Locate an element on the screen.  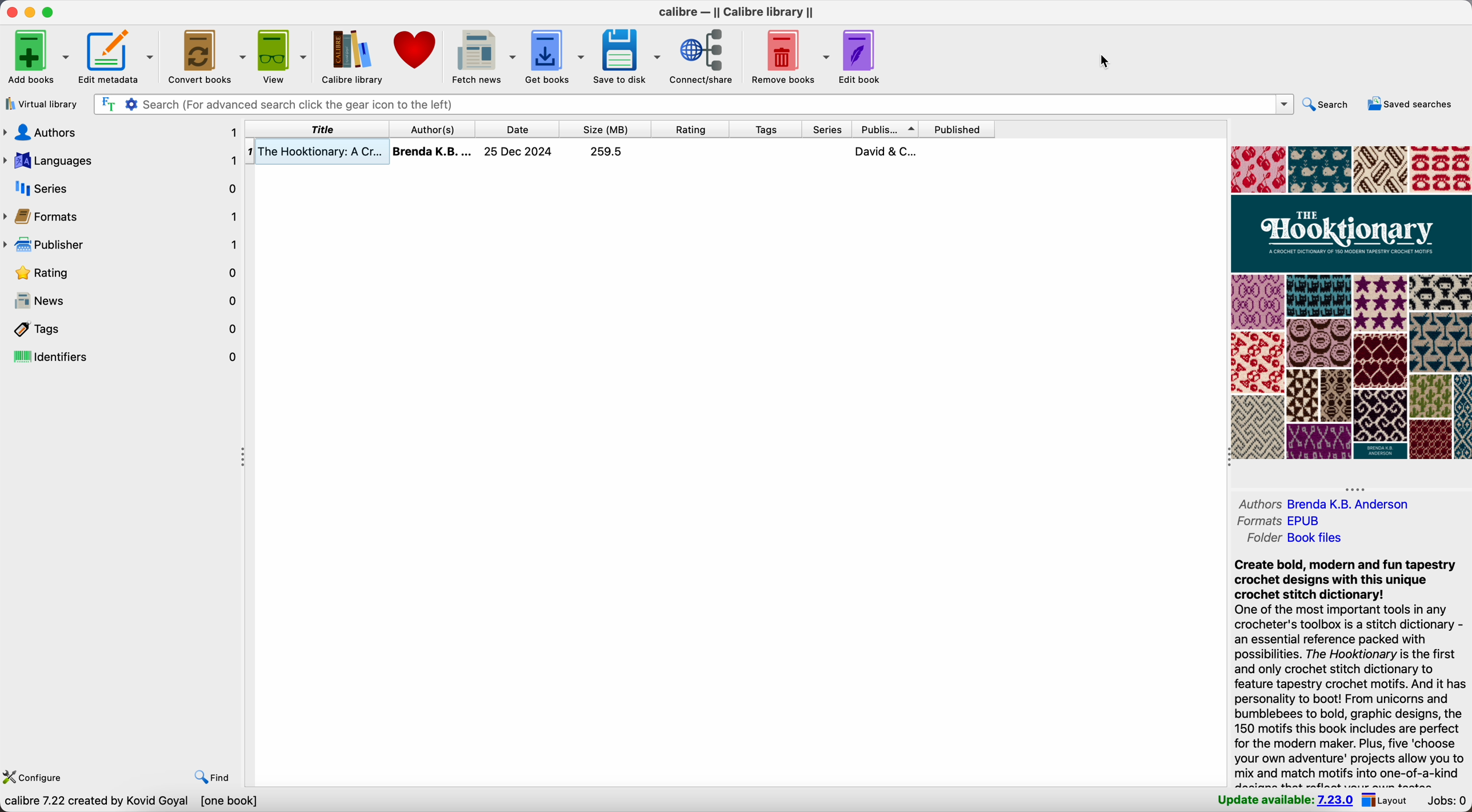
minimize is located at coordinates (33, 13).